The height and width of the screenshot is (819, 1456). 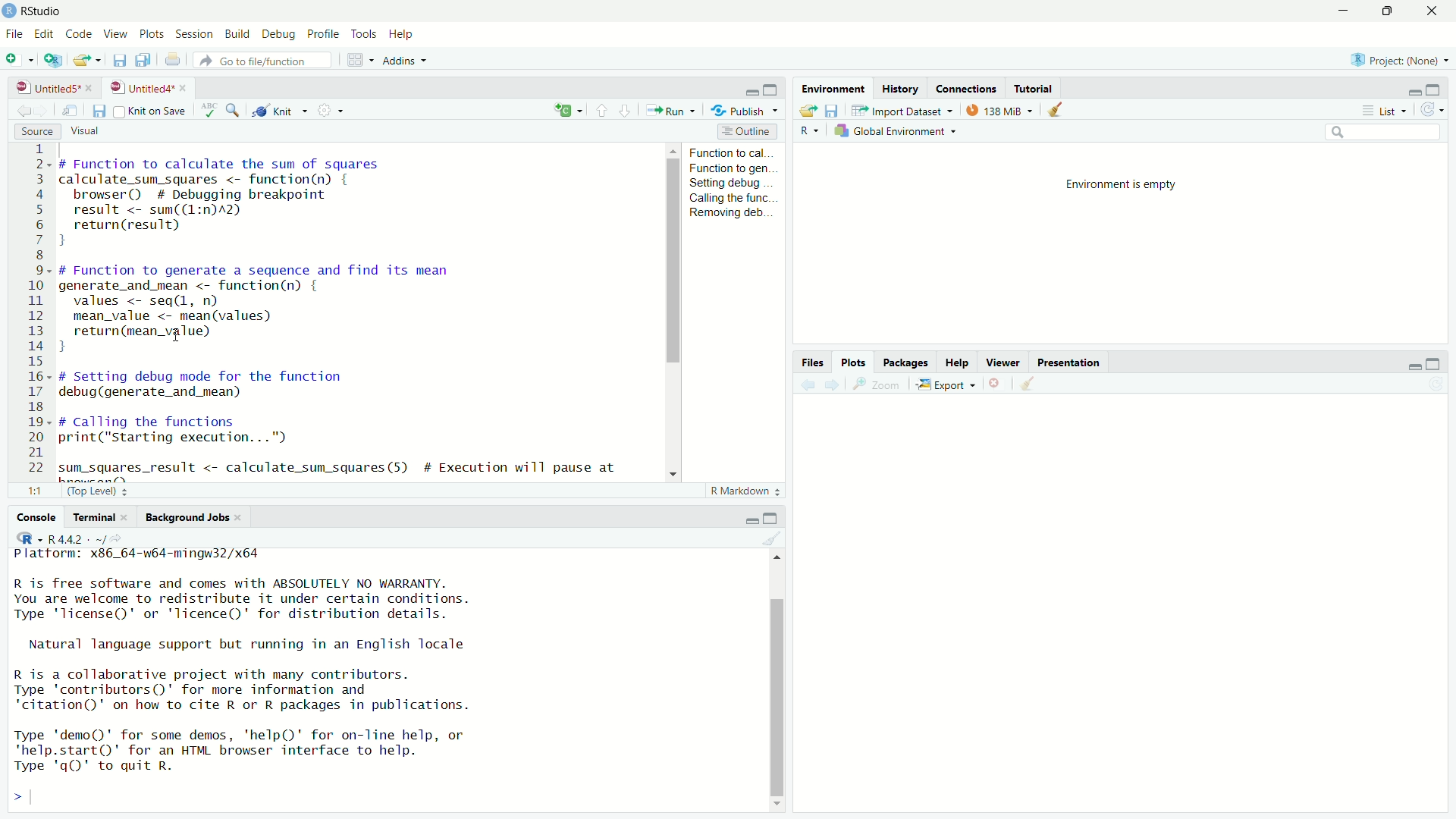 What do you see at coordinates (730, 168) in the screenshot?
I see `function to gen...` at bounding box center [730, 168].